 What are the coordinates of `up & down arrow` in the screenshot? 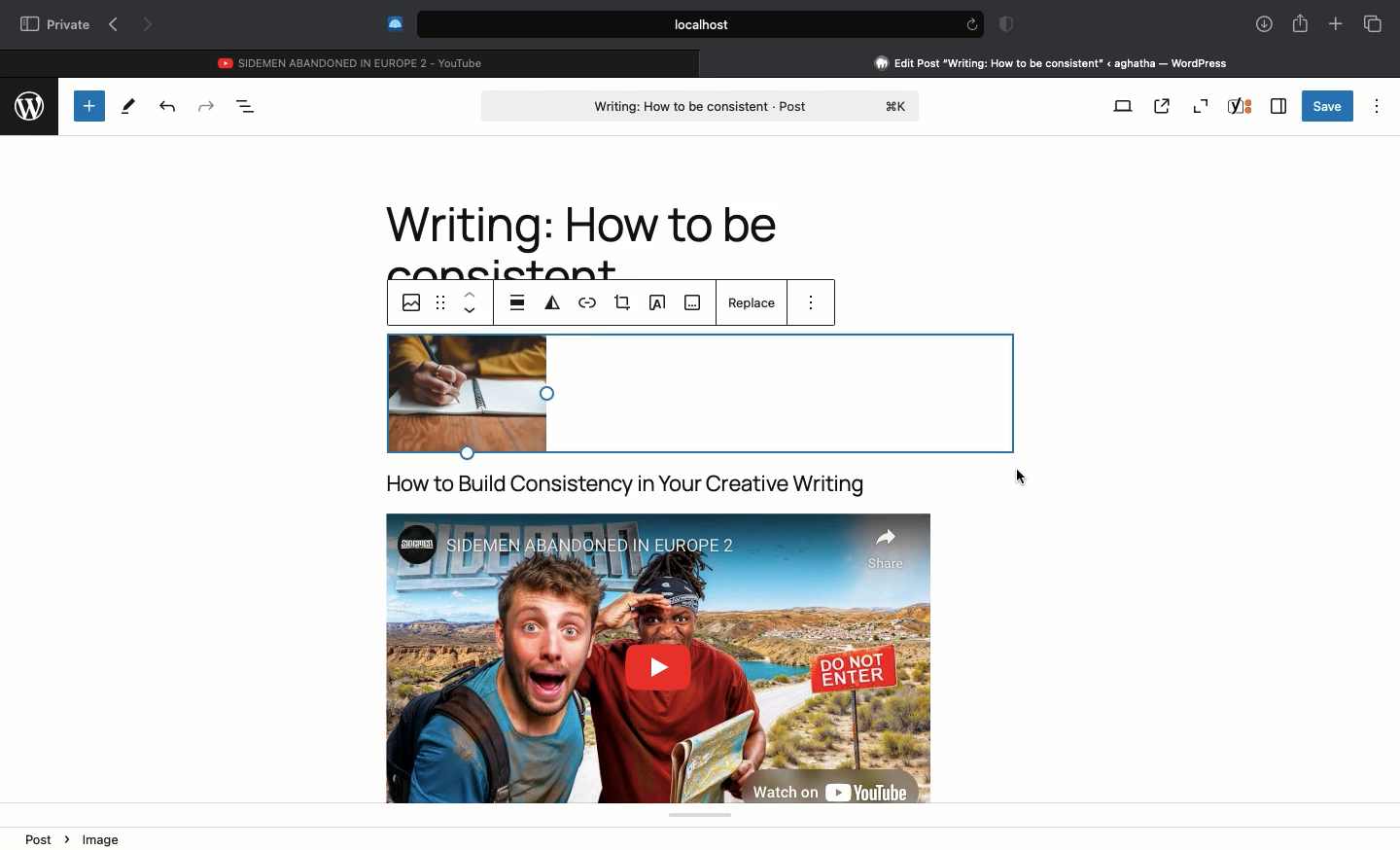 It's located at (472, 301).